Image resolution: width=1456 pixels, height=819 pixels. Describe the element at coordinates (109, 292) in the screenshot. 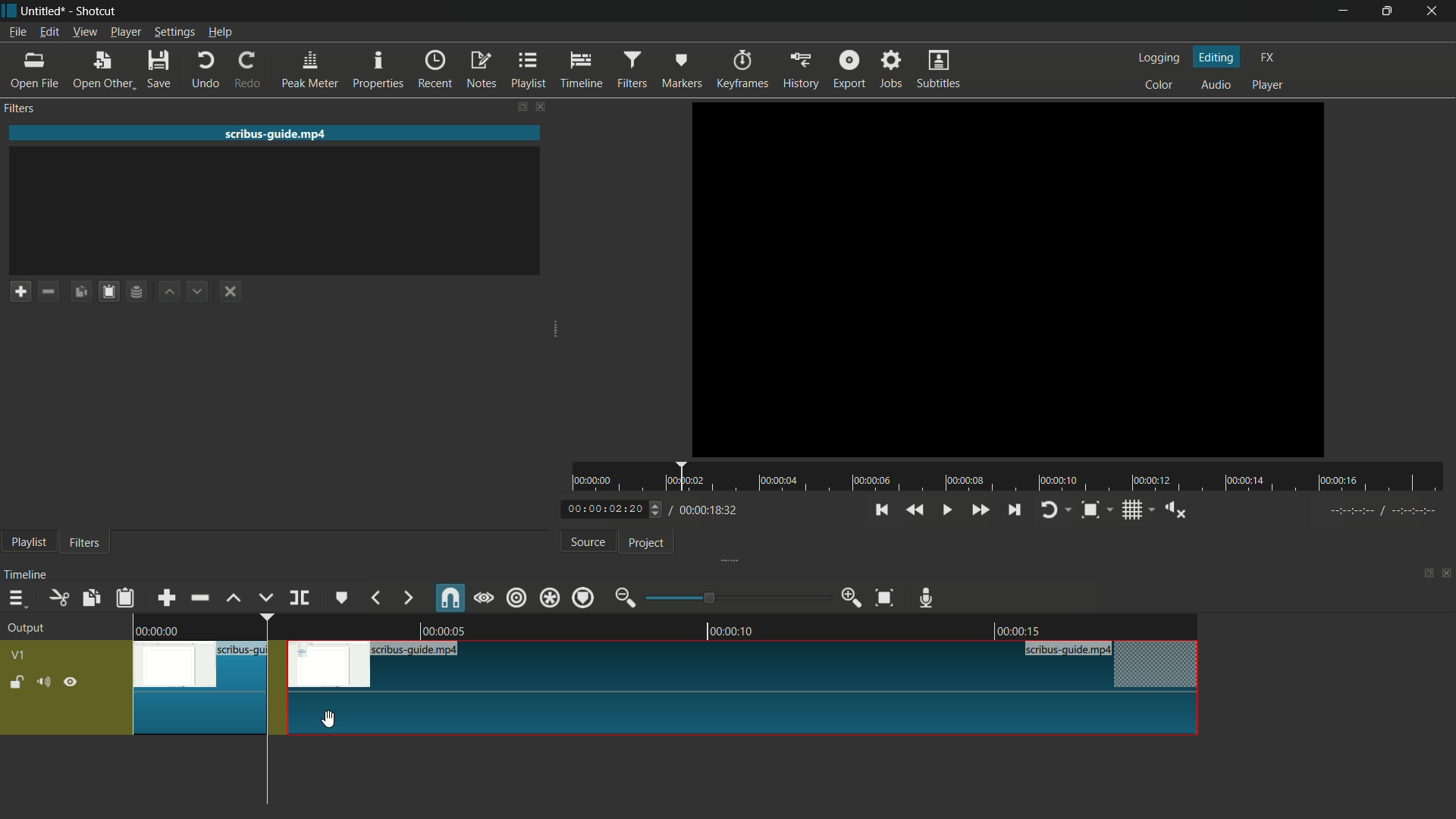

I see `paste filters` at that location.